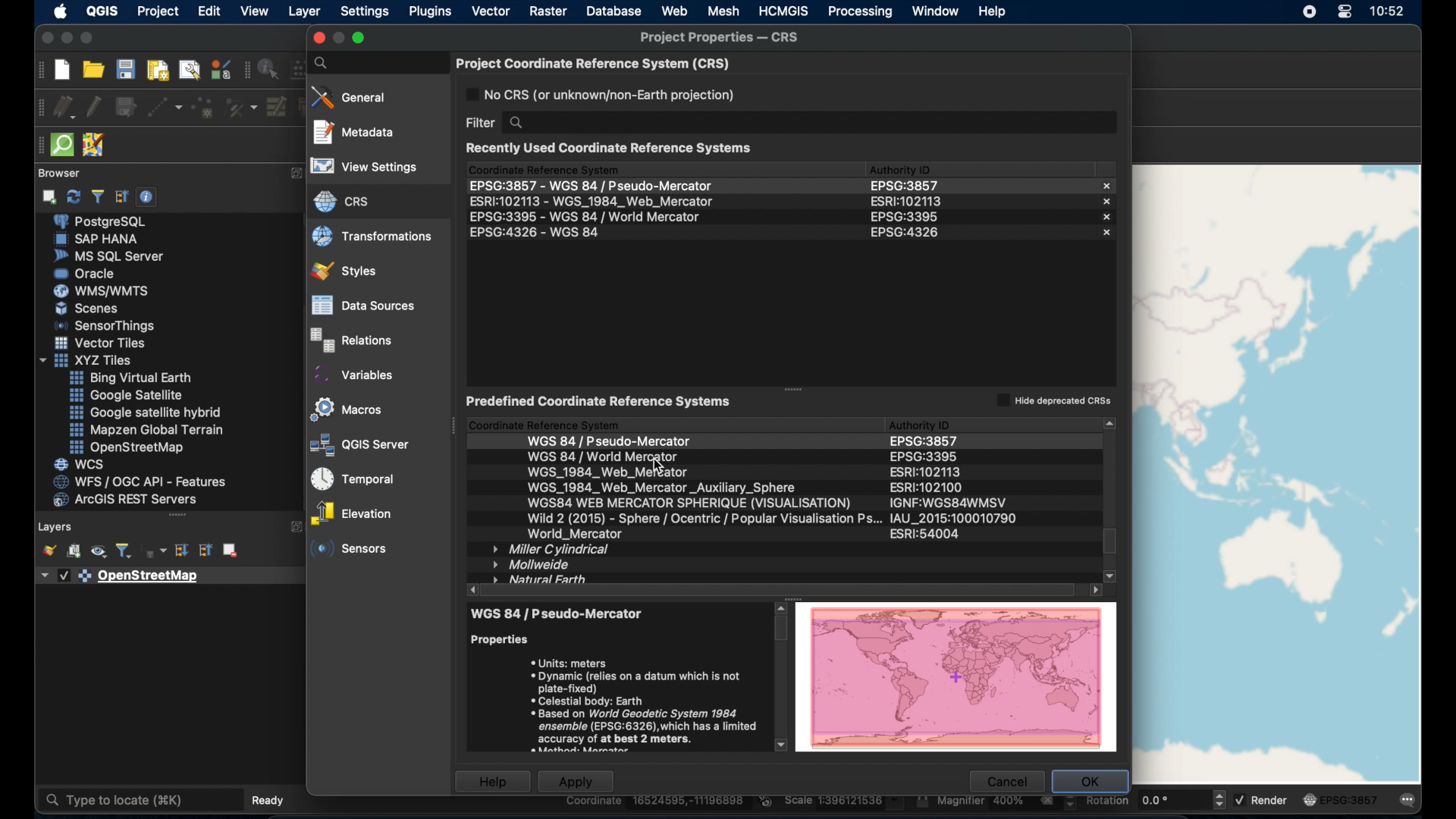 The height and width of the screenshot is (819, 1456). What do you see at coordinates (156, 551) in the screenshot?
I see `filter legend by expression` at bounding box center [156, 551].